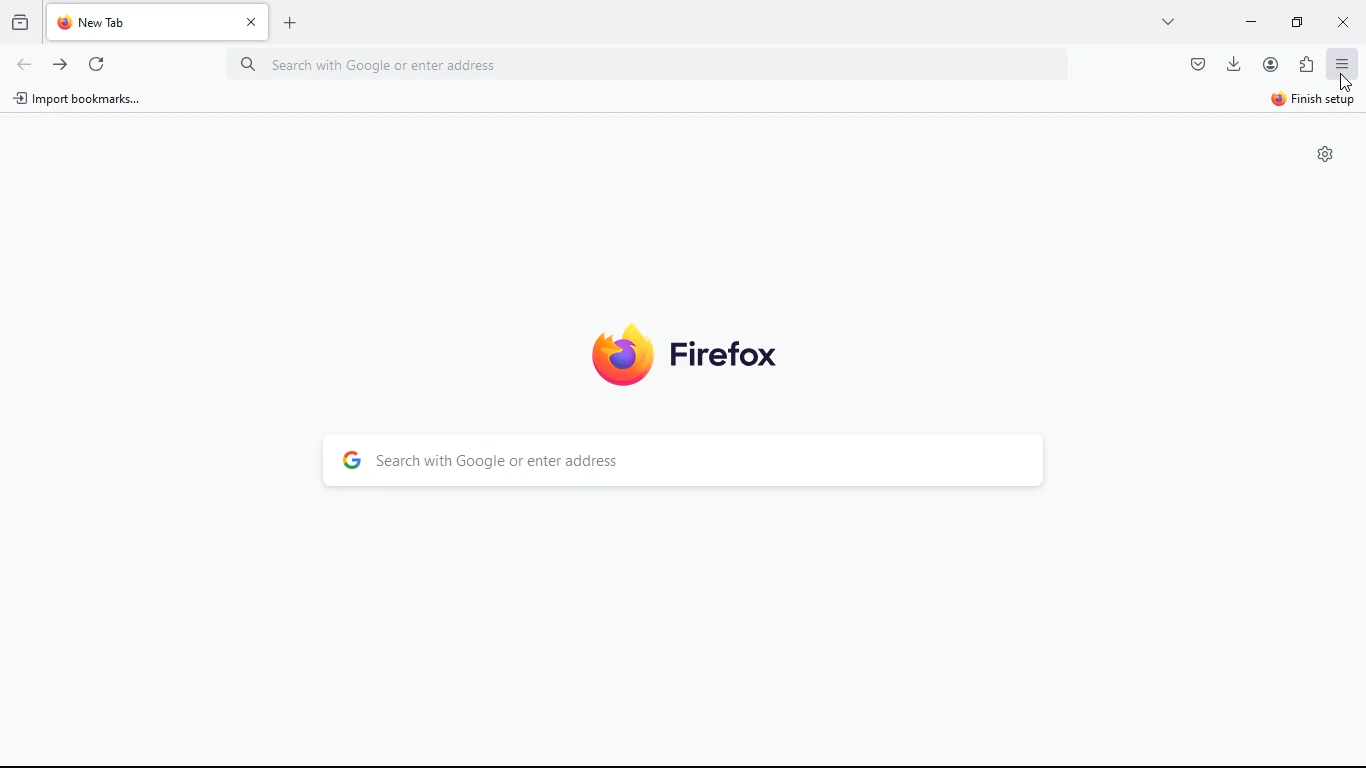  What do you see at coordinates (1270, 64) in the screenshot?
I see `profile` at bounding box center [1270, 64].